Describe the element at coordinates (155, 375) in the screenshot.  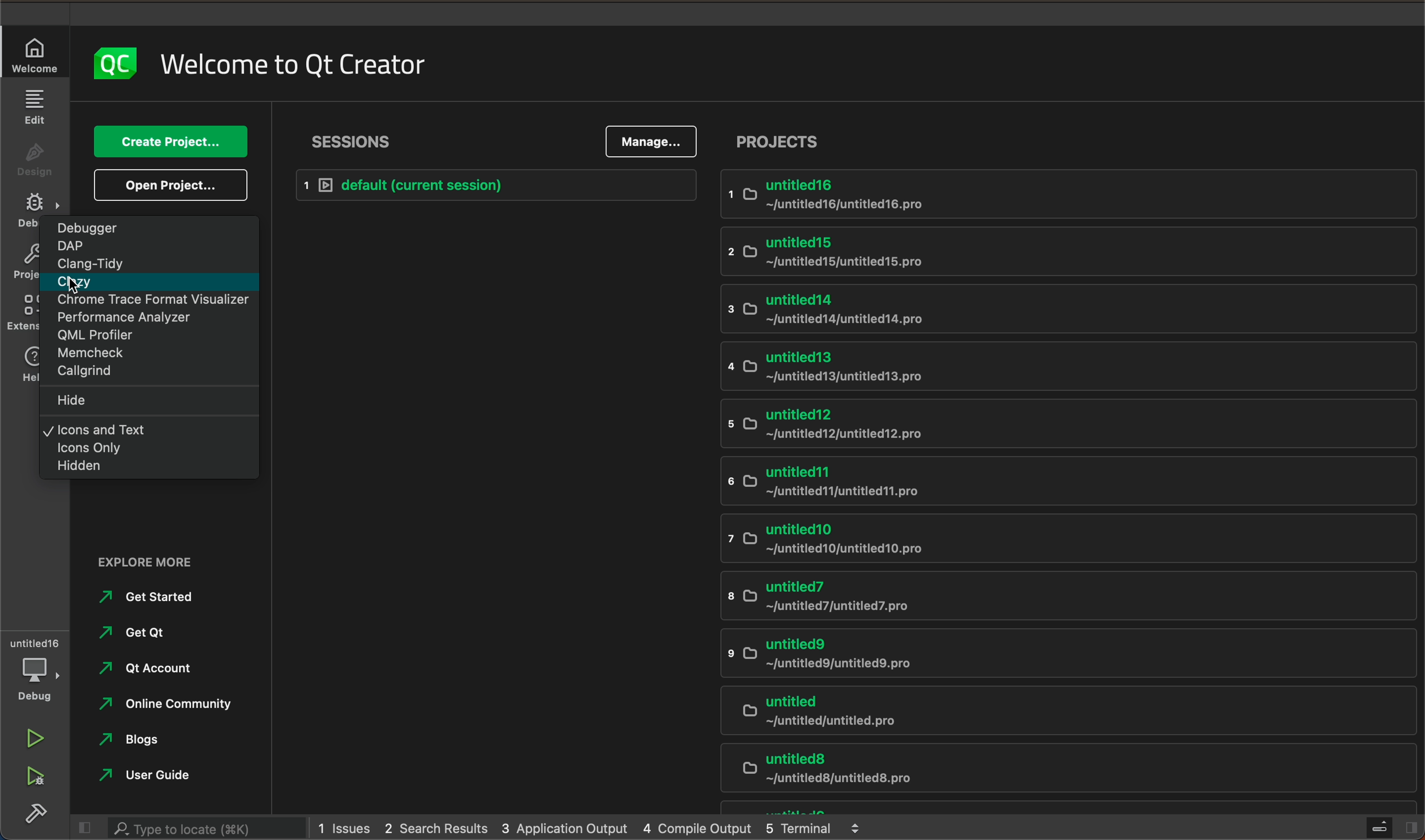
I see `callgrind` at that location.